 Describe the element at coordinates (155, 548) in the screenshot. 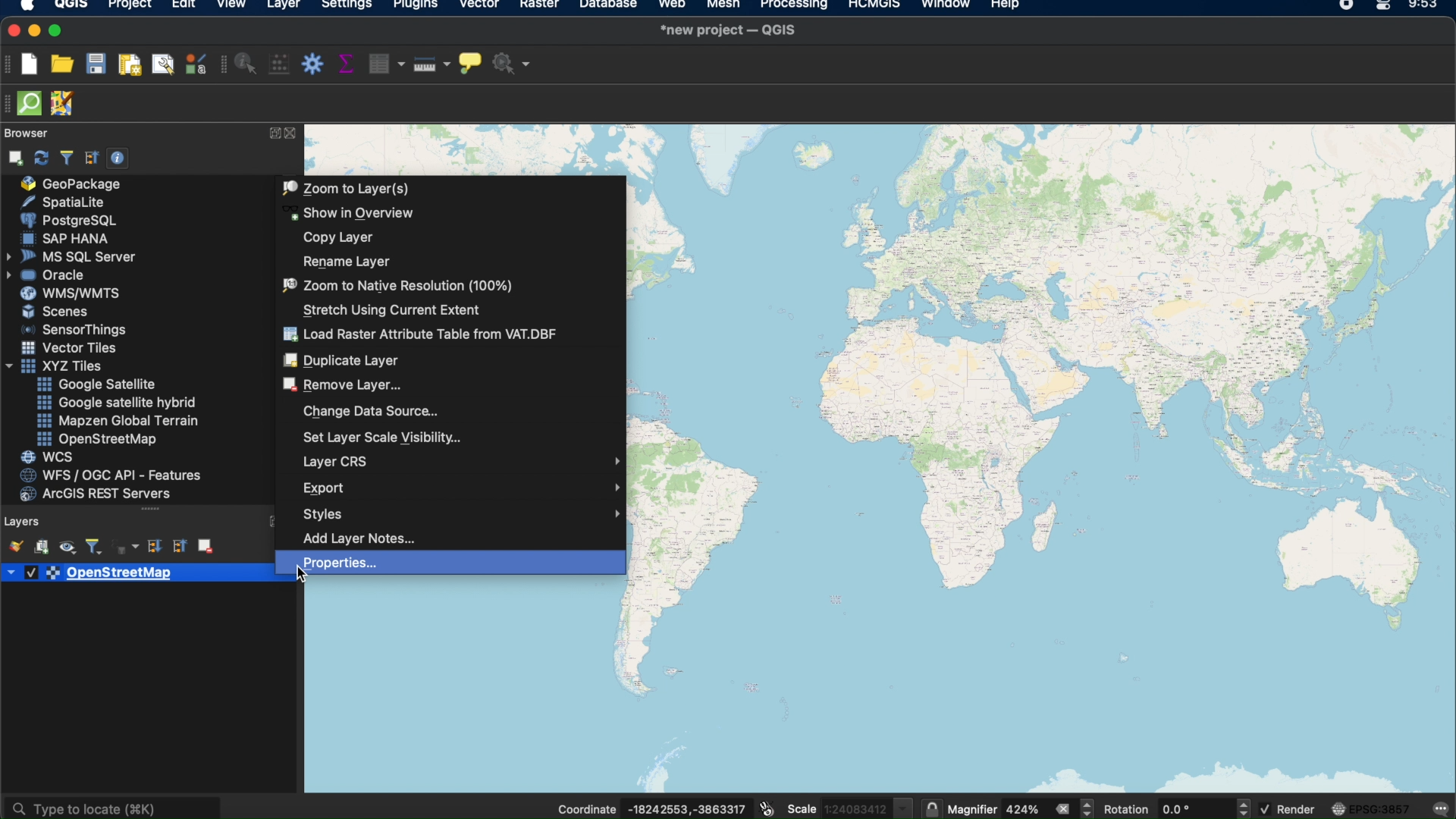

I see `expand all` at that location.